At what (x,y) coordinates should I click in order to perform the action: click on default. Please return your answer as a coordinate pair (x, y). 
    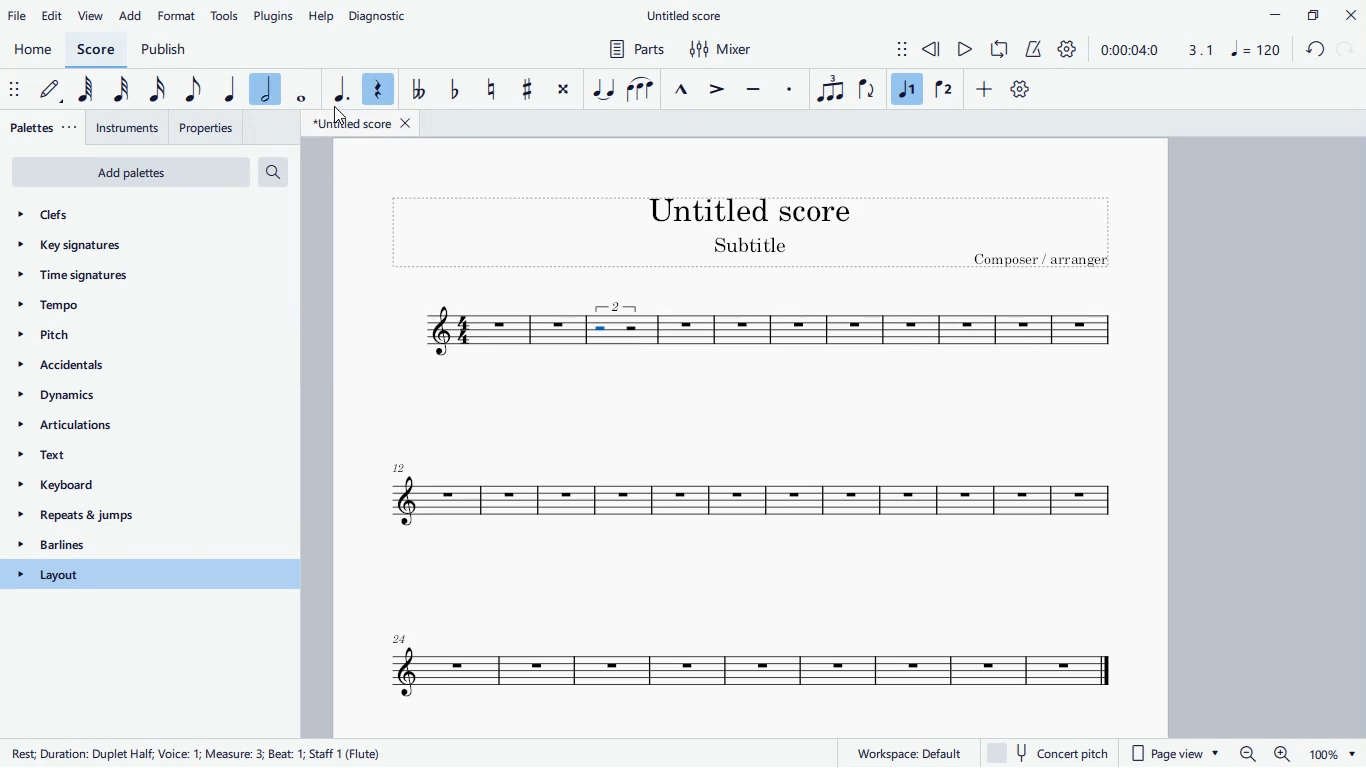
    Looking at the image, I should click on (1020, 92).